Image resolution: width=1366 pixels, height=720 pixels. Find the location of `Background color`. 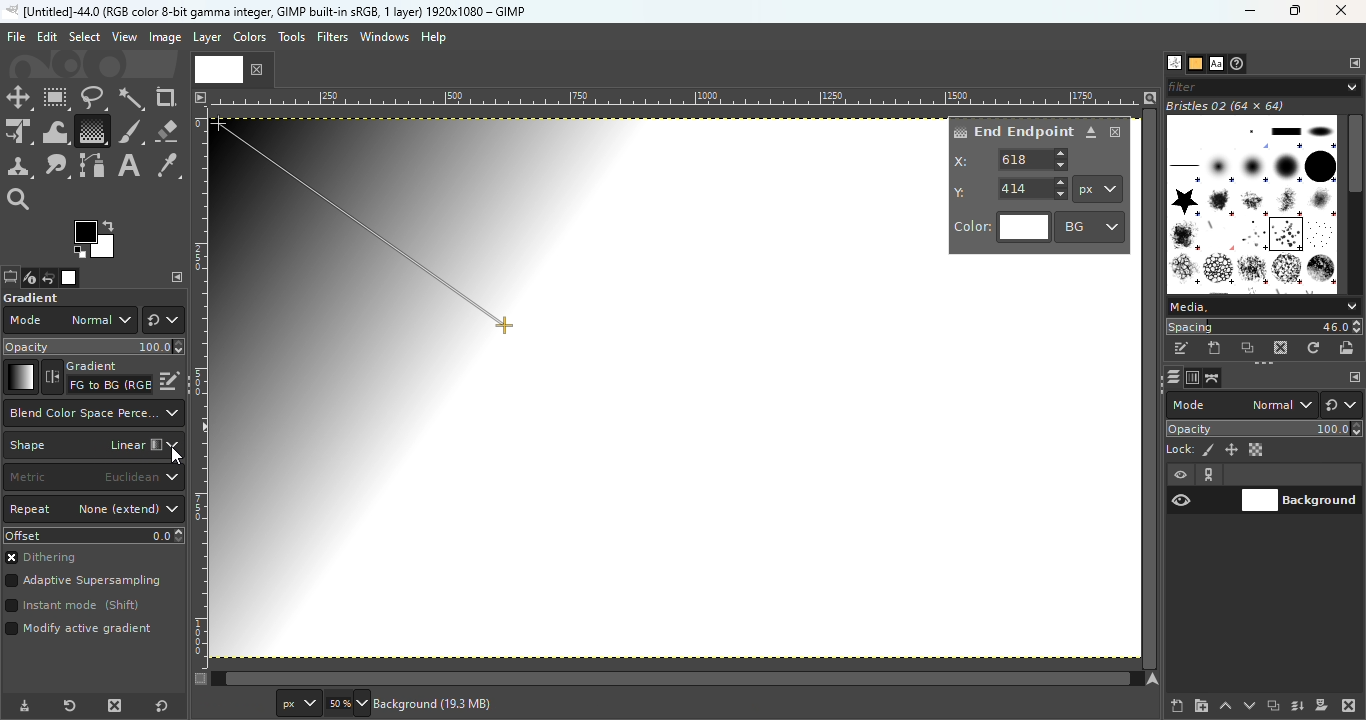

Background color is located at coordinates (1091, 226).